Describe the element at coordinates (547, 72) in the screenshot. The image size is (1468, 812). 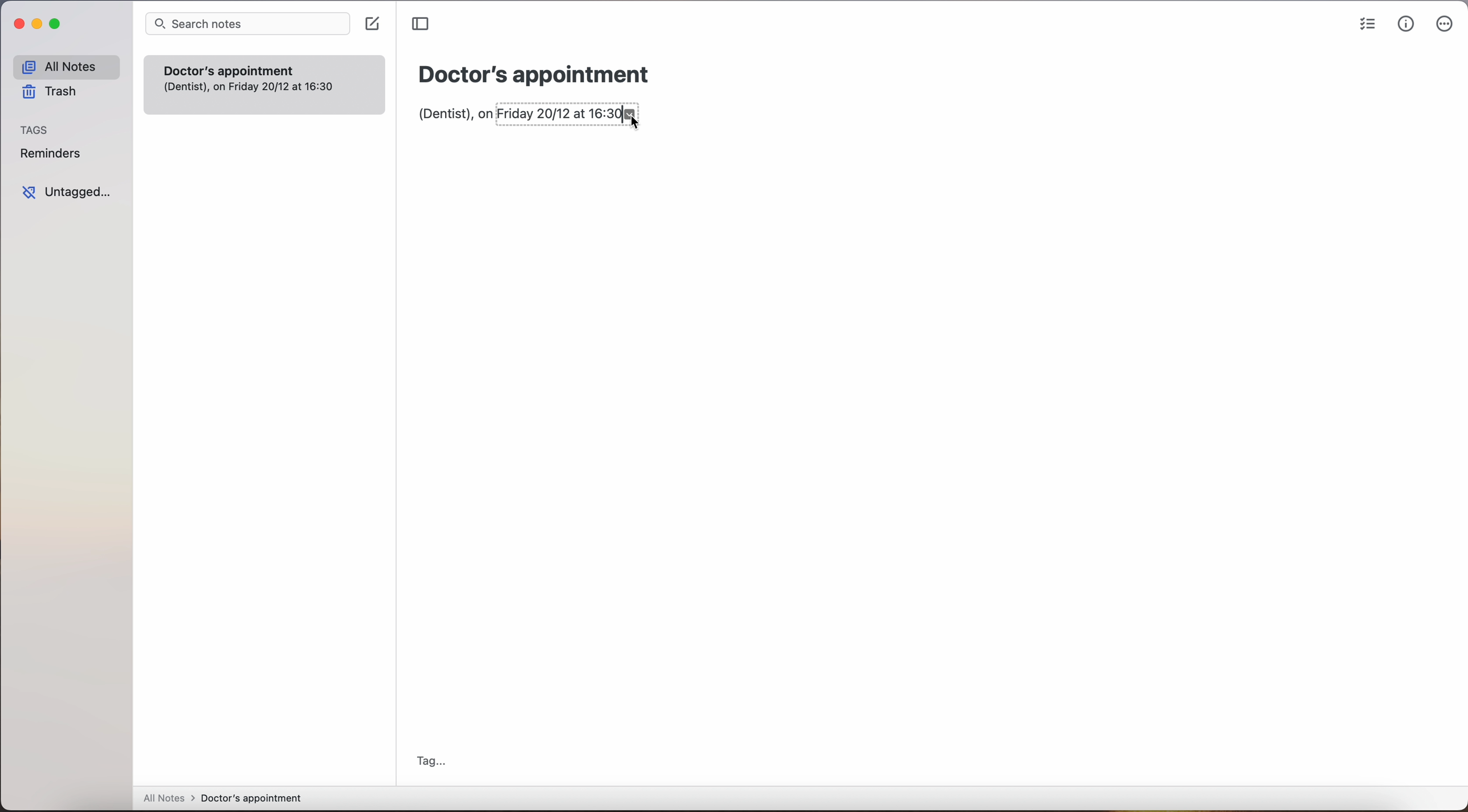
I see `Doctor's appointment` at that location.